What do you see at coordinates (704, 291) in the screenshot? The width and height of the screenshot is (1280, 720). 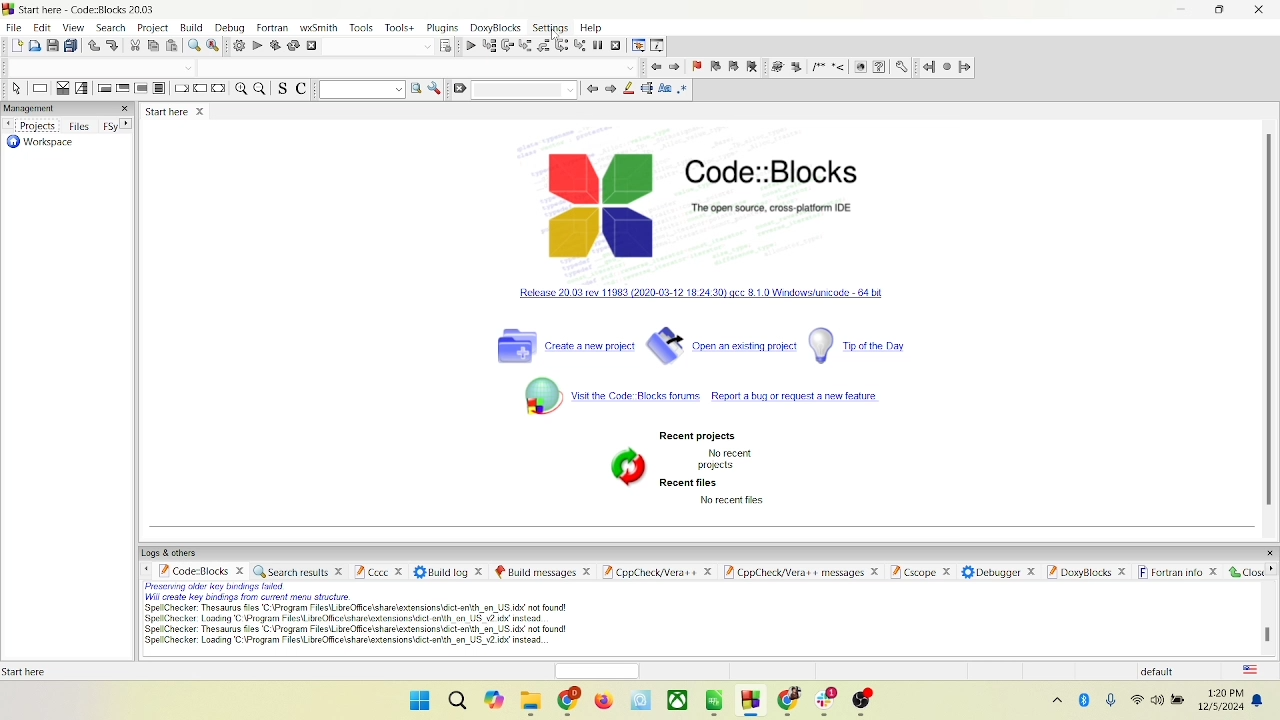 I see `windowsunicode` at bounding box center [704, 291].